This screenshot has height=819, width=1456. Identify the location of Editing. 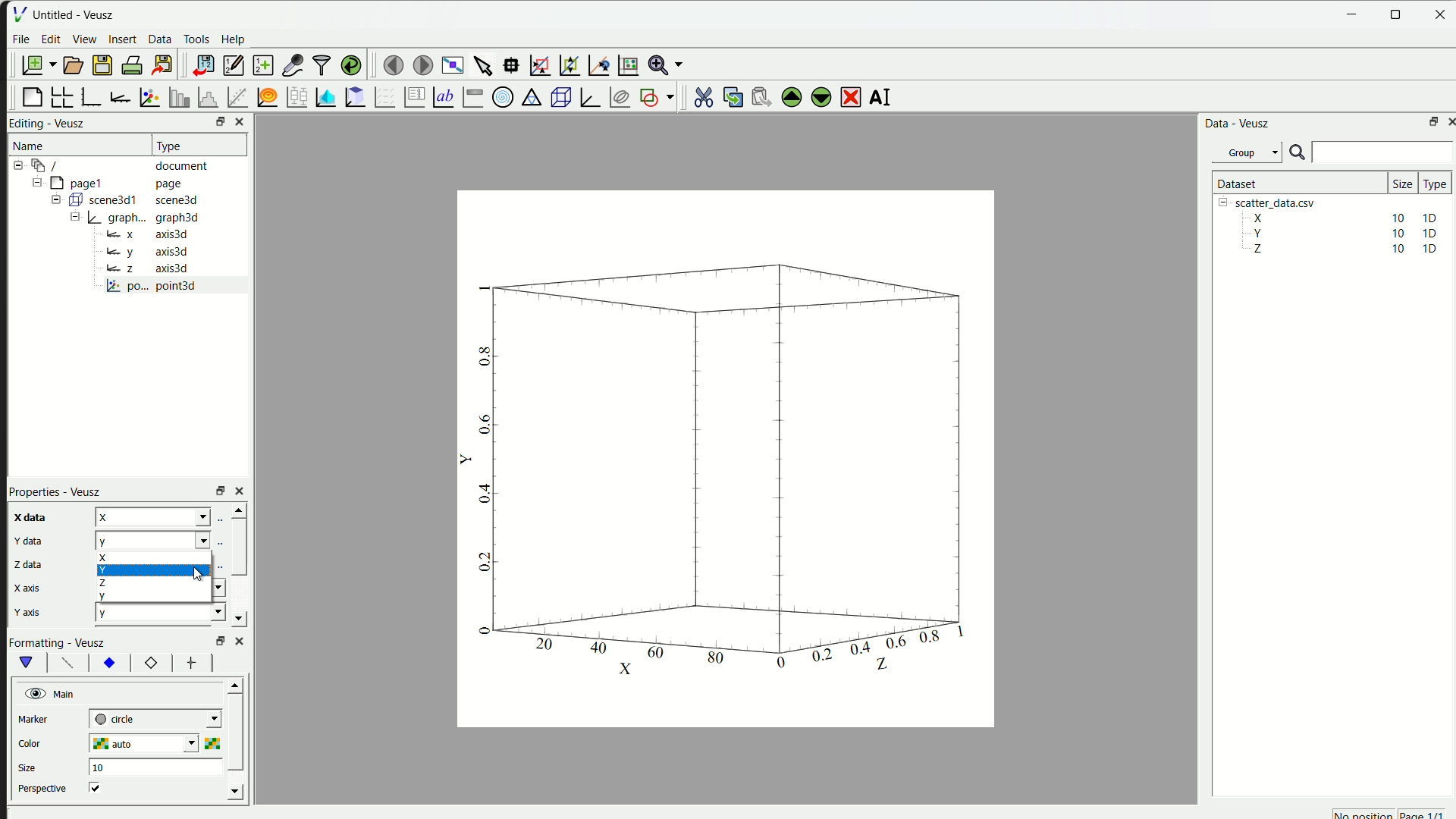
(27, 122).